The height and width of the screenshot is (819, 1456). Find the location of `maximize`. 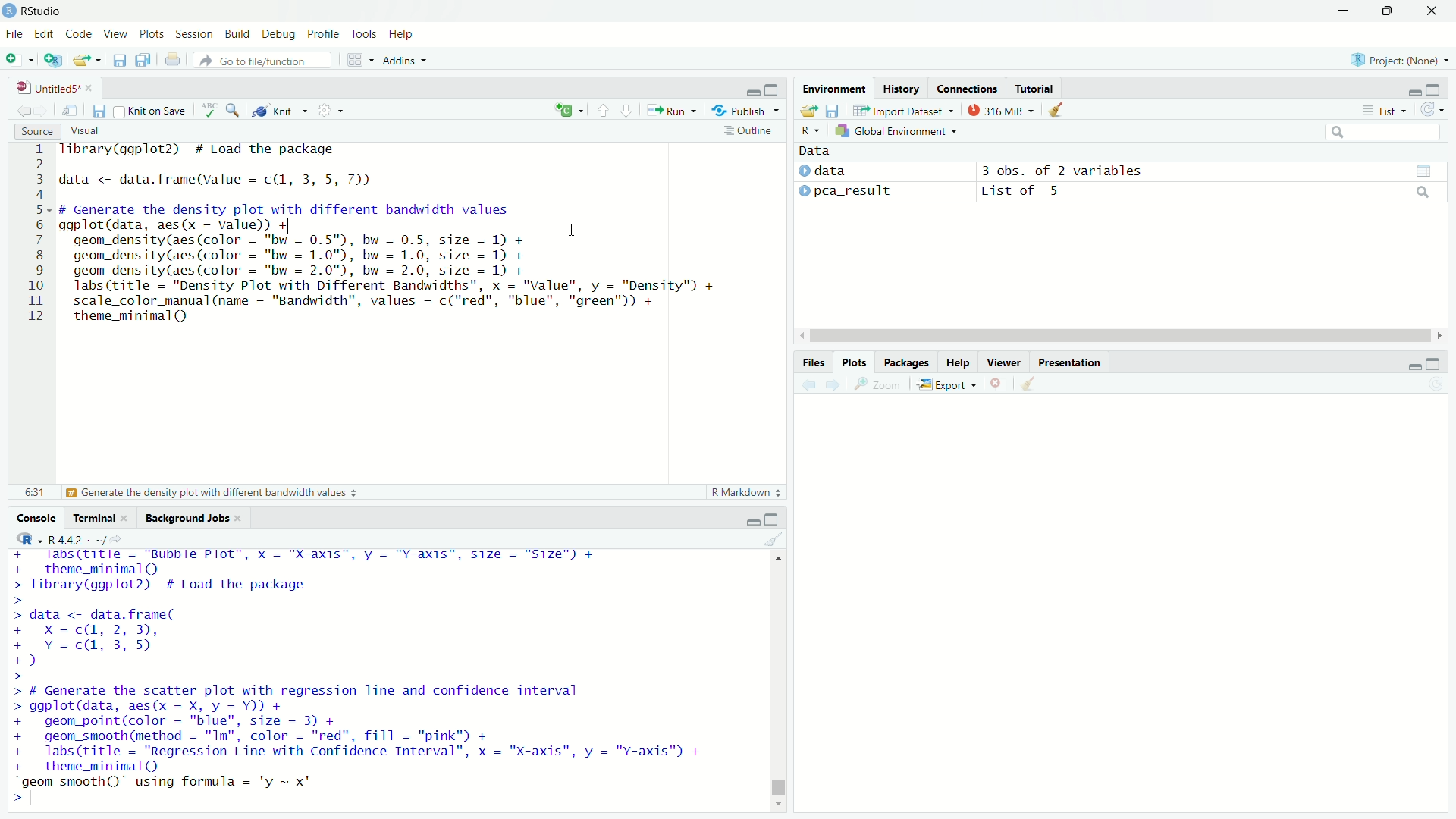

maximize is located at coordinates (773, 89).